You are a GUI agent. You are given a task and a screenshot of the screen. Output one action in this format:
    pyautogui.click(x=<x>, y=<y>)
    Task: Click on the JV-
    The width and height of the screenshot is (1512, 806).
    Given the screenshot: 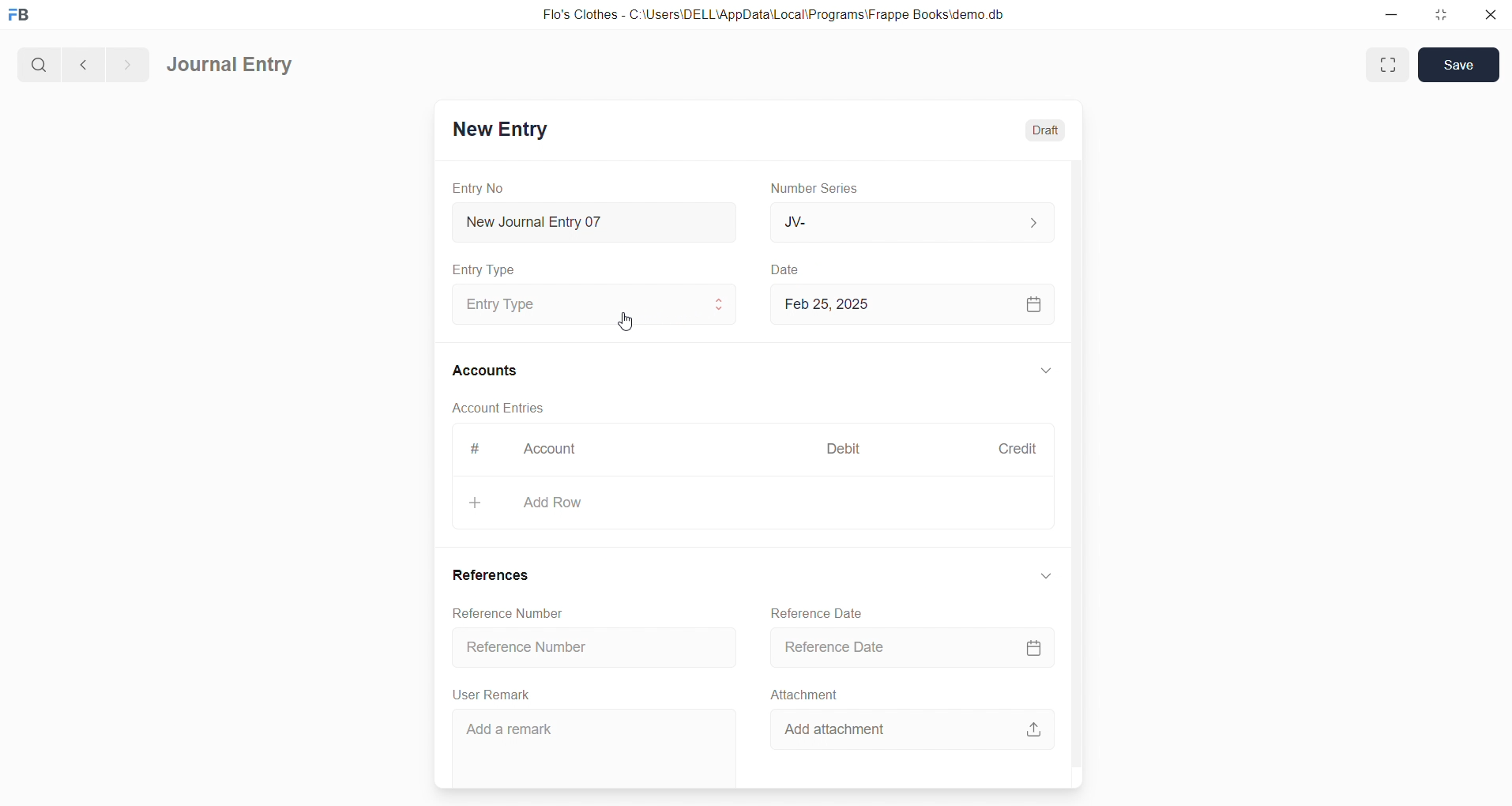 What is the action you would take?
    pyautogui.click(x=910, y=223)
    